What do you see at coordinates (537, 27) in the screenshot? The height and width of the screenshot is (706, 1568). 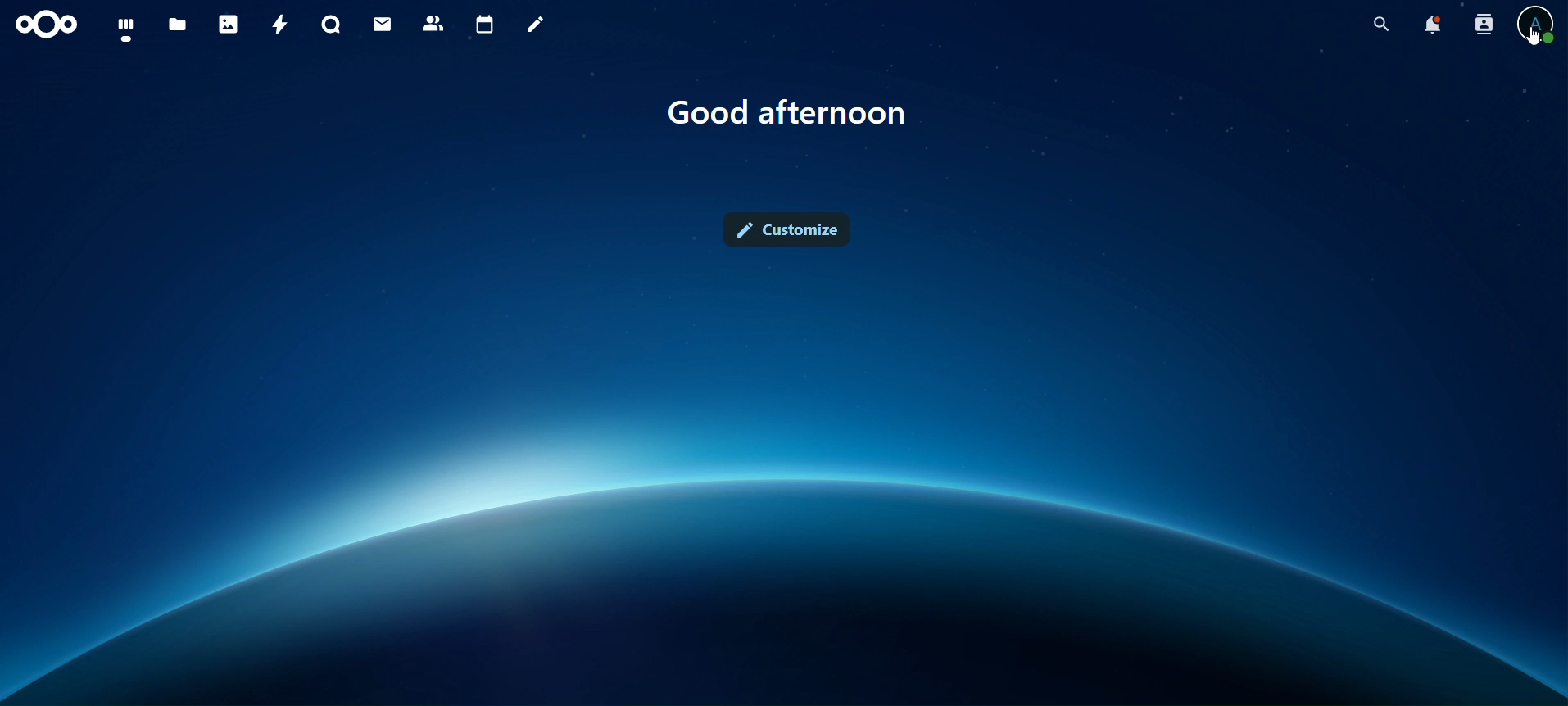 I see `notes` at bounding box center [537, 27].